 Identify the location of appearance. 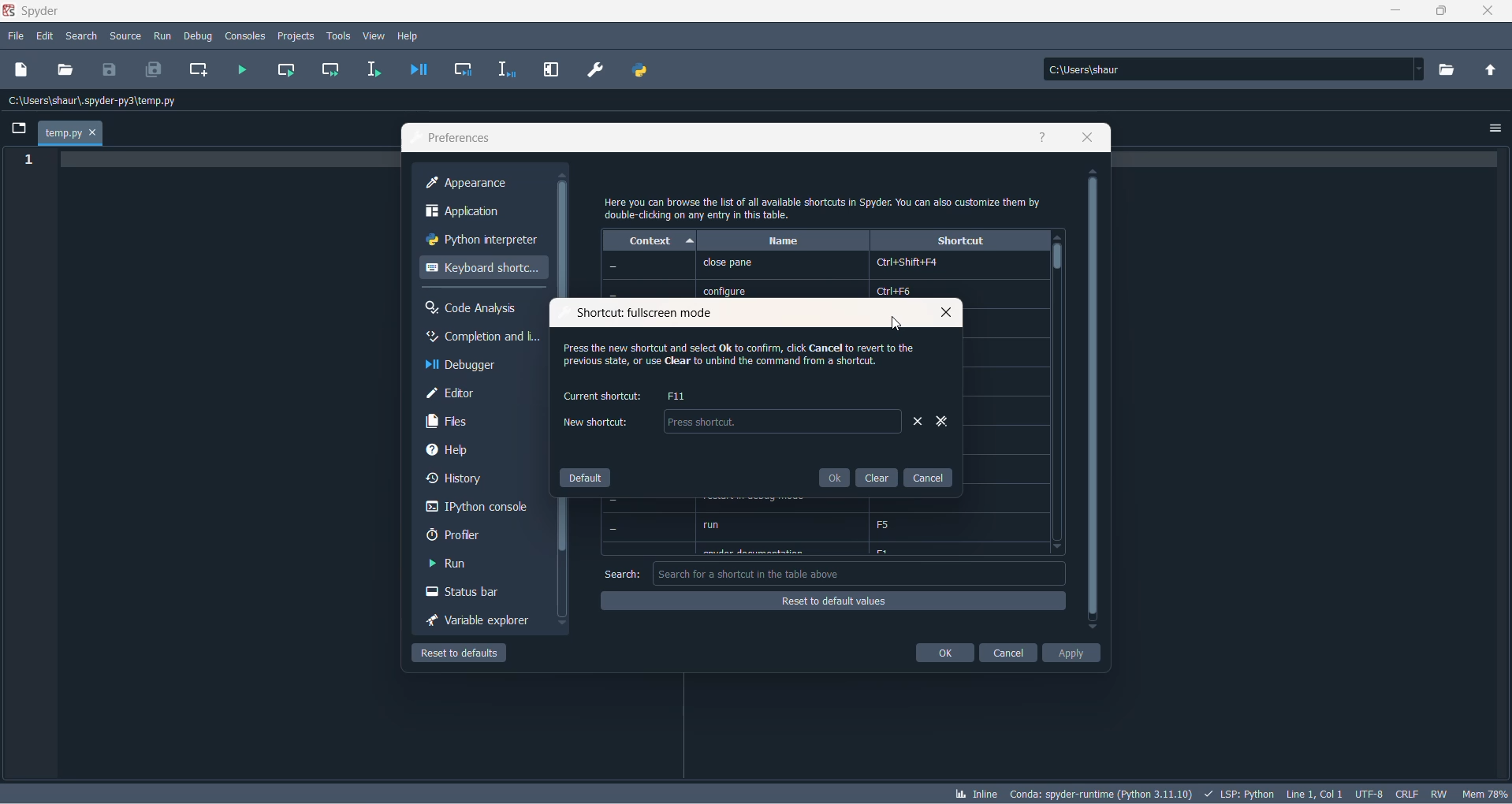
(486, 184).